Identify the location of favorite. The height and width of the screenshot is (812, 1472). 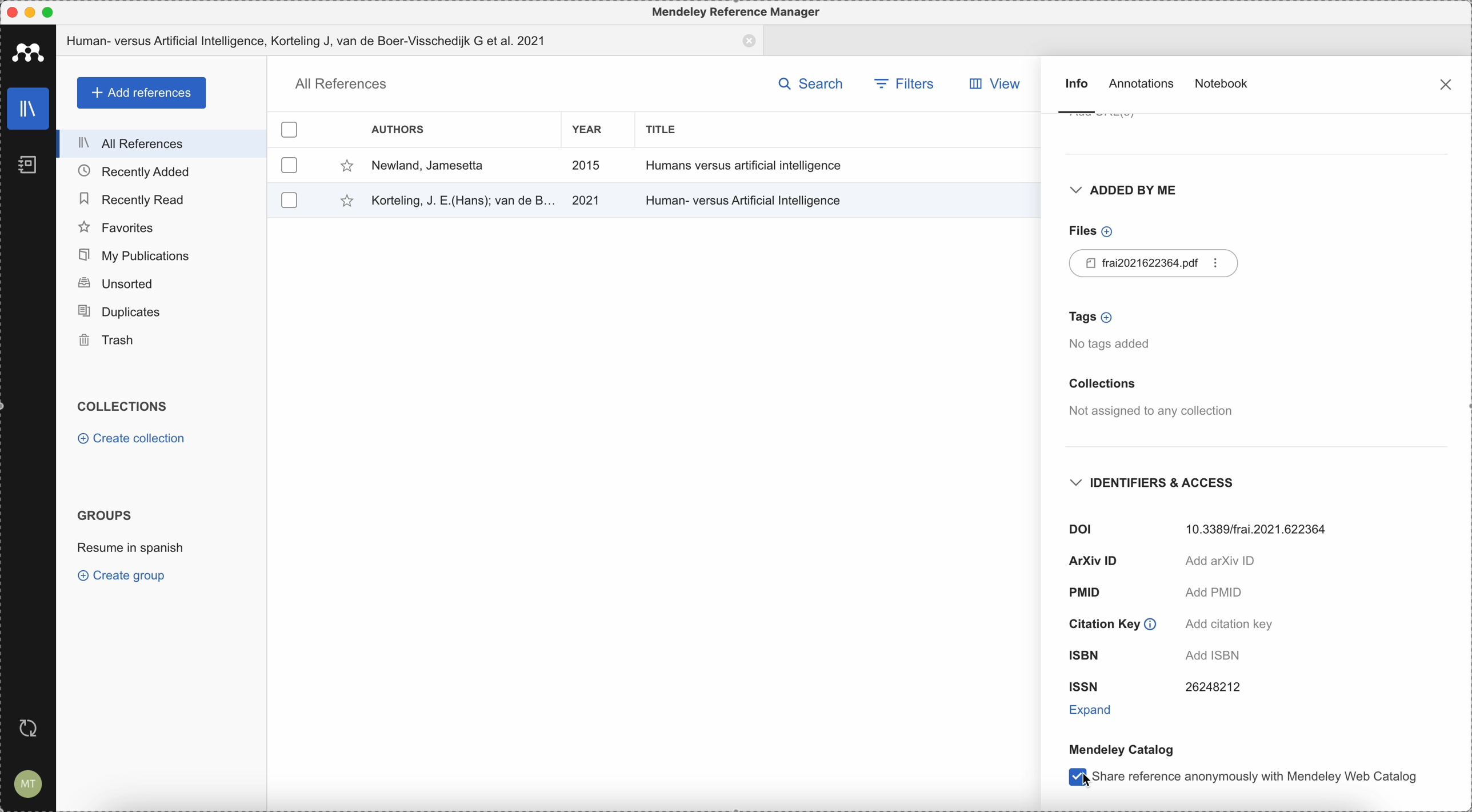
(344, 166).